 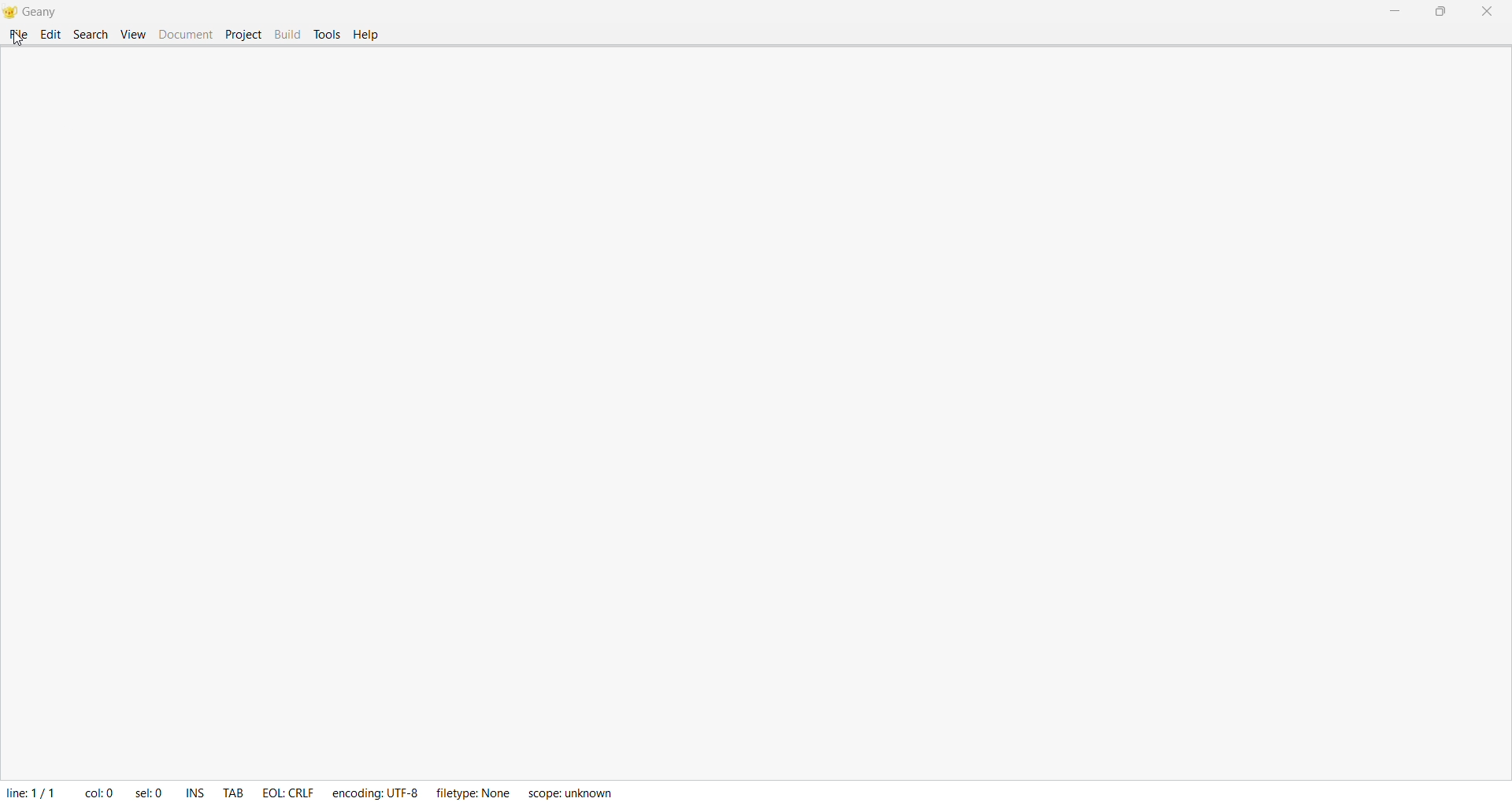 What do you see at coordinates (243, 34) in the screenshot?
I see `Project` at bounding box center [243, 34].